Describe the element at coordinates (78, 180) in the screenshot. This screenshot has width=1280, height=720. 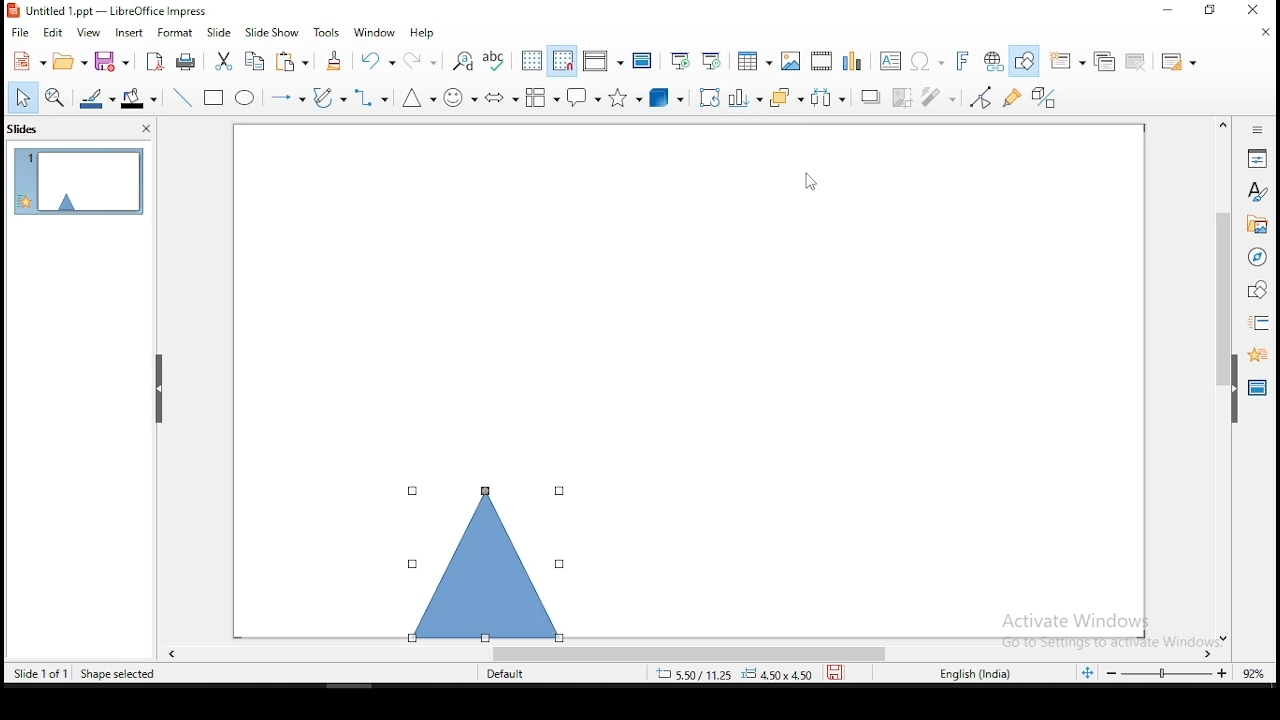
I see `slide` at that location.